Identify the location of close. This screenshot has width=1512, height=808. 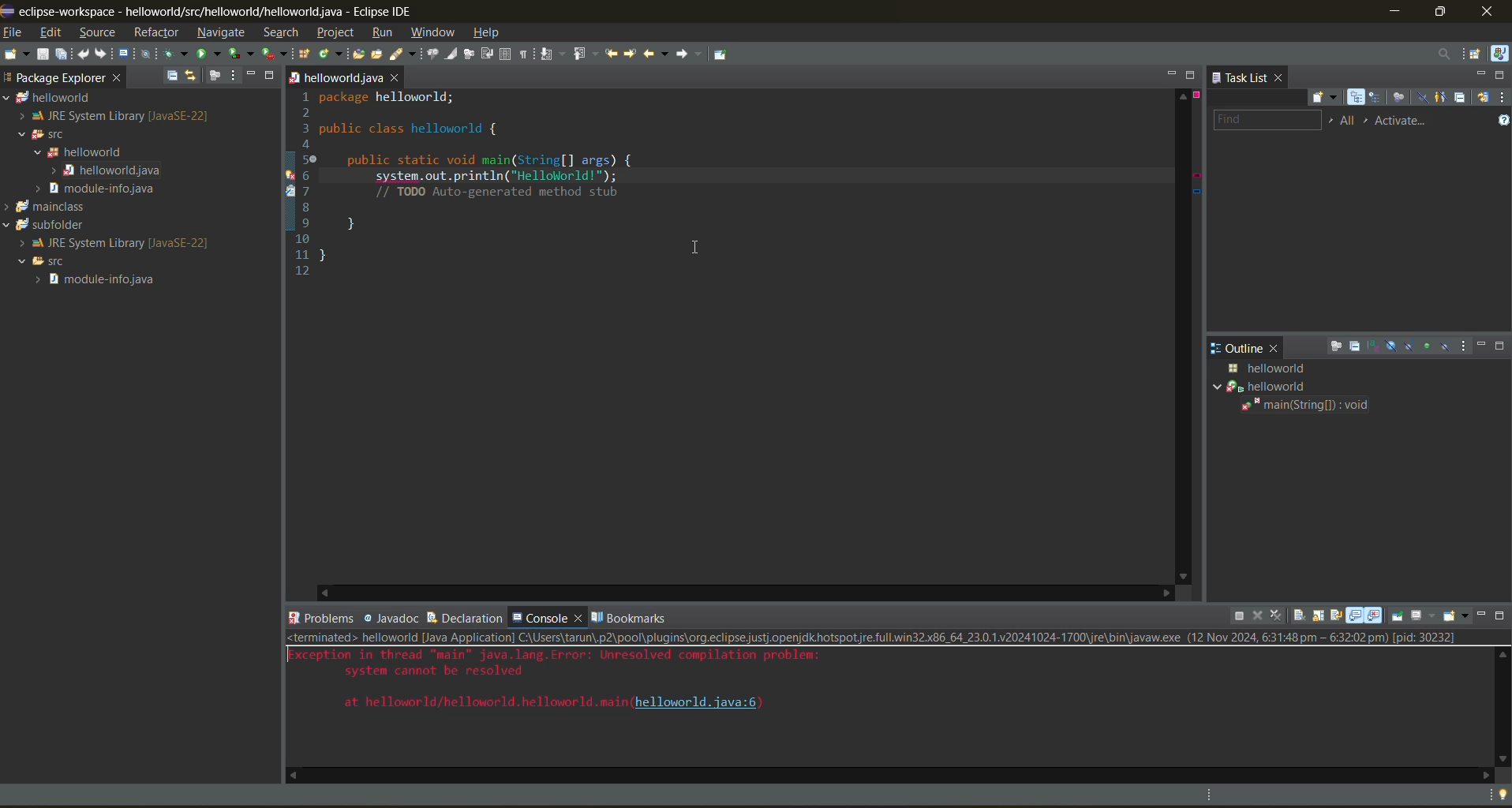
(118, 80).